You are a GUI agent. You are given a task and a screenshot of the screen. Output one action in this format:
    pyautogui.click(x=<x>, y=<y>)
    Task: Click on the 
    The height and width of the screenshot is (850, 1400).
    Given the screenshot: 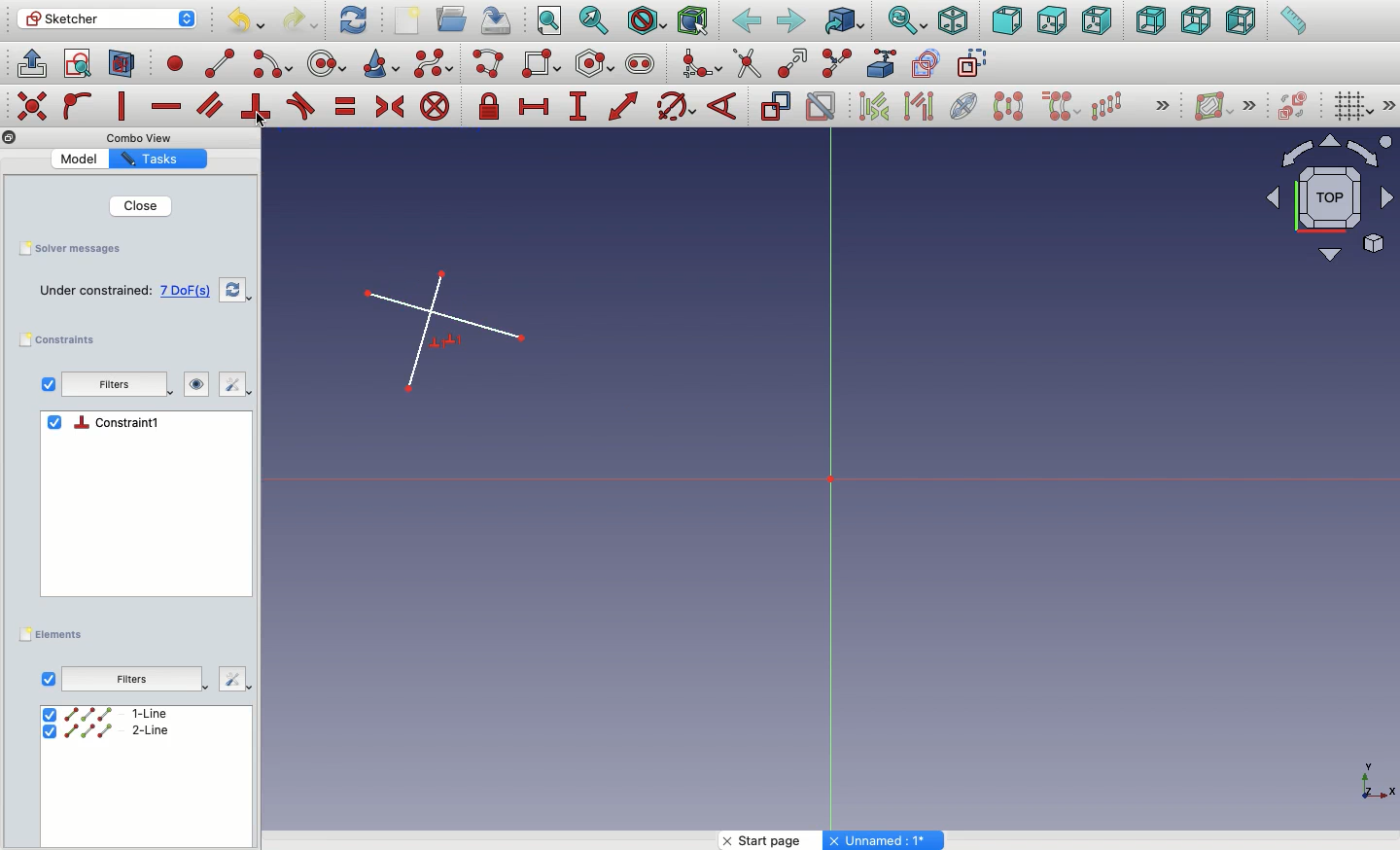 What is the action you would take?
    pyautogui.click(x=1159, y=104)
    